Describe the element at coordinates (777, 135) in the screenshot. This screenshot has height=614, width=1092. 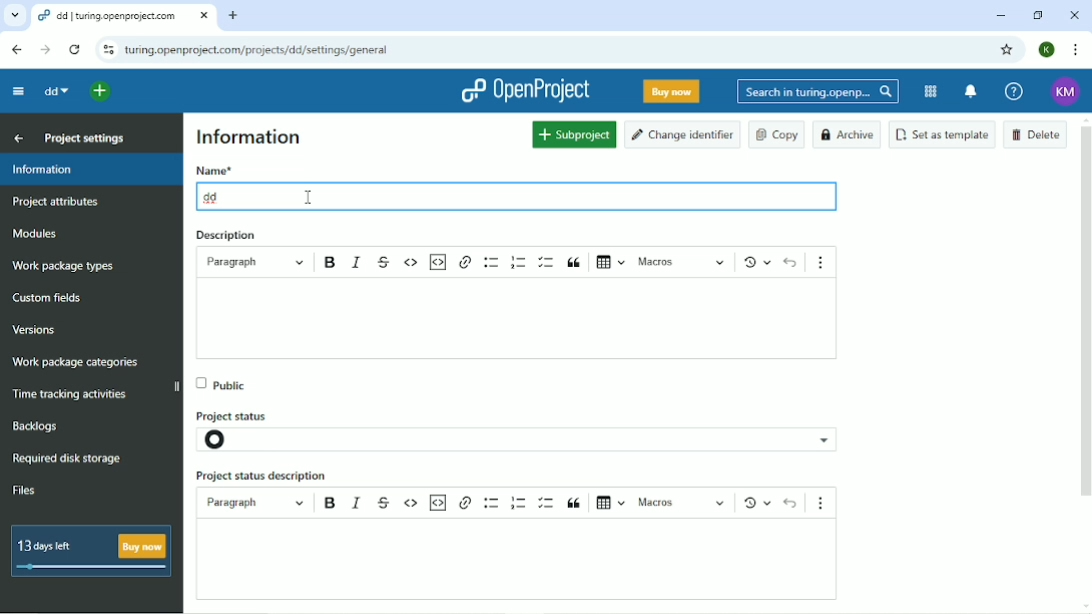
I see `Copy` at that location.